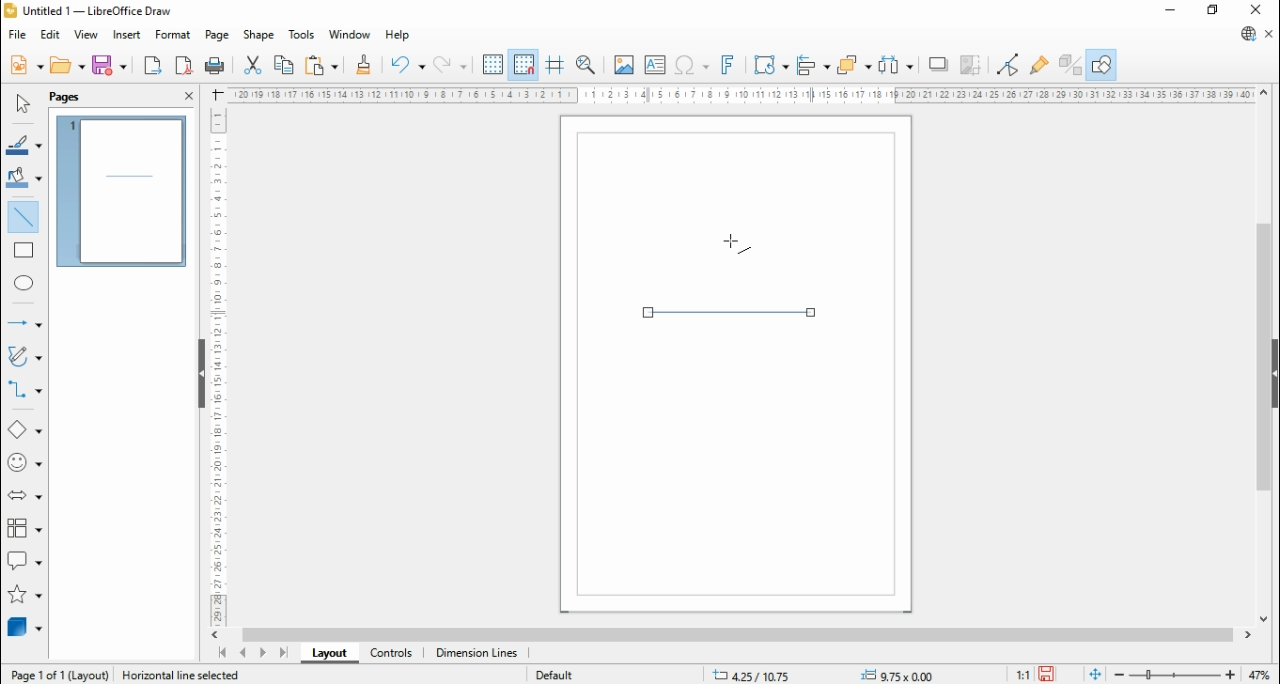 Image resolution: width=1280 pixels, height=684 pixels. Describe the element at coordinates (406, 64) in the screenshot. I see `undo` at that location.